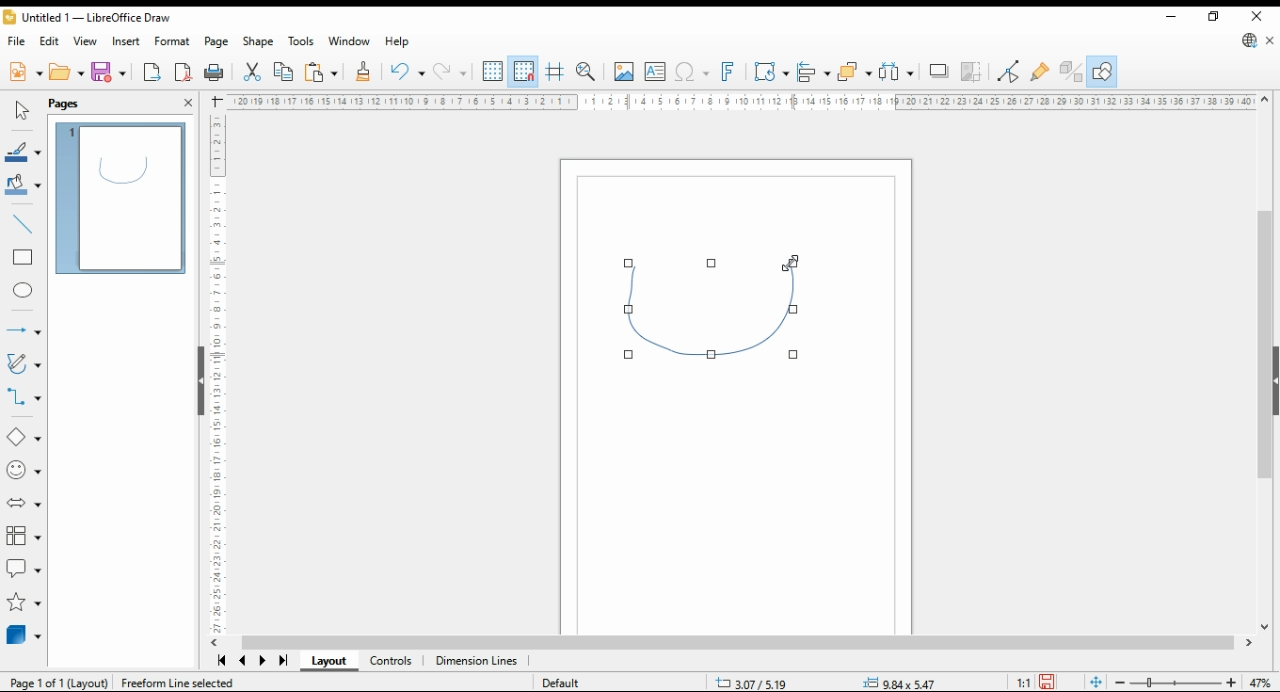 This screenshot has width=1280, height=692. Describe the element at coordinates (492, 71) in the screenshot. I see `show grids` at that location.